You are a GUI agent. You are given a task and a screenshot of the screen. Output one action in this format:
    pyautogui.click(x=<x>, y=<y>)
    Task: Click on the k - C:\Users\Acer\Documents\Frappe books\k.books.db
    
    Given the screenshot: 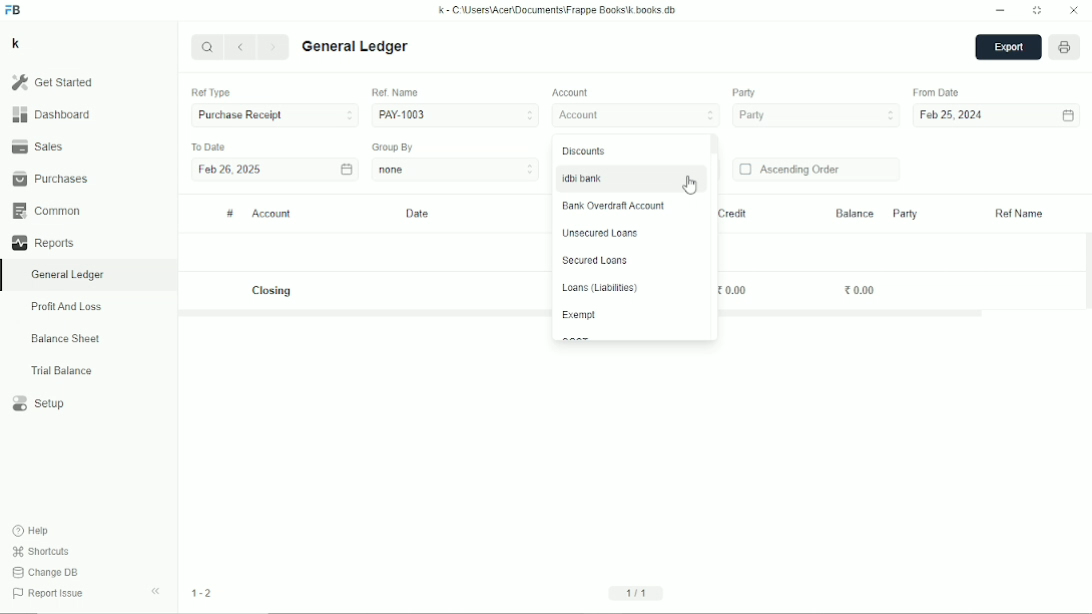 What is the action you would take?
    pyautogui.click(x=558, y=10)
    